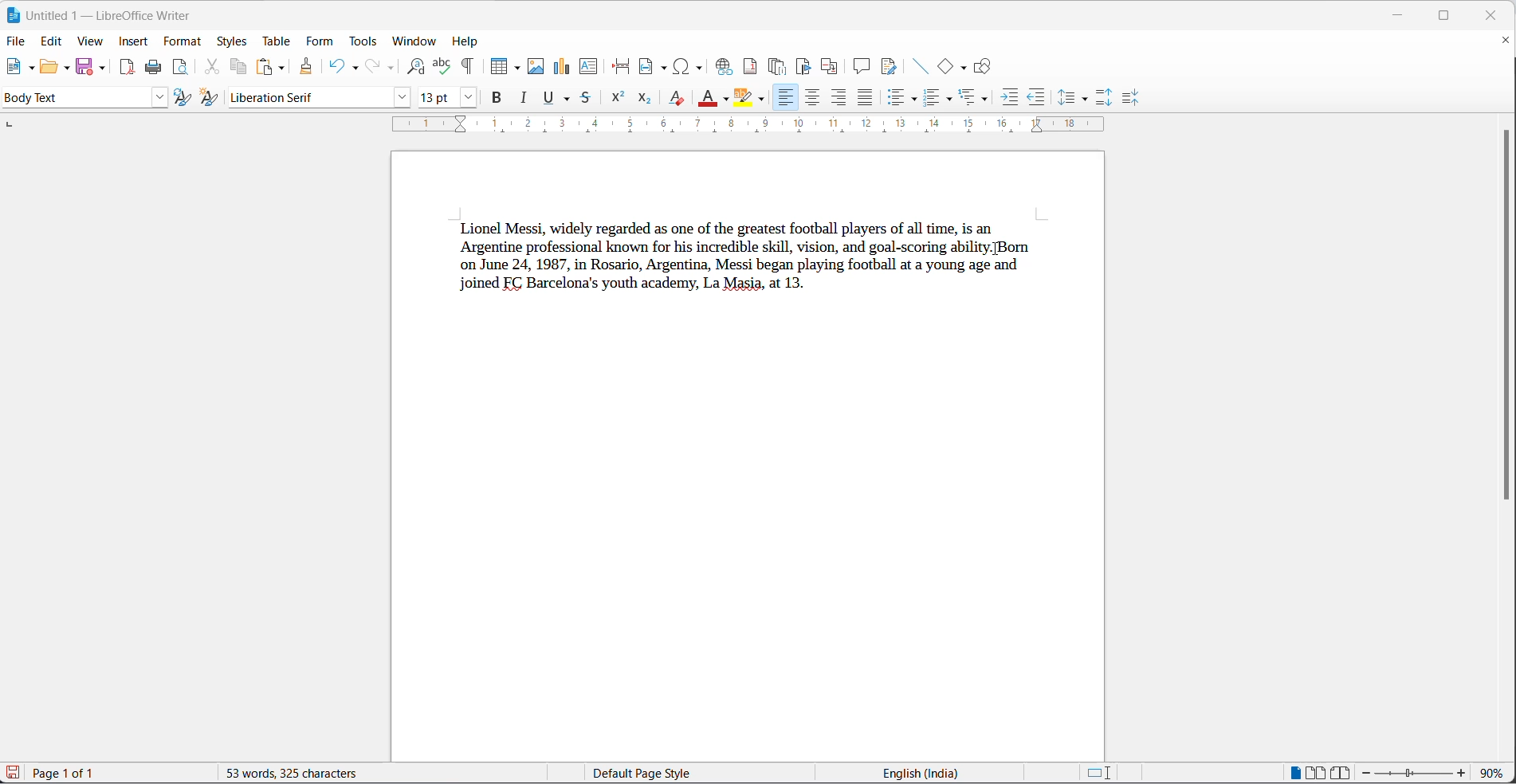  What do you see at coordinates (29, 69) in the screenshot?
I see `new file options` at bounding box center [29, 69].